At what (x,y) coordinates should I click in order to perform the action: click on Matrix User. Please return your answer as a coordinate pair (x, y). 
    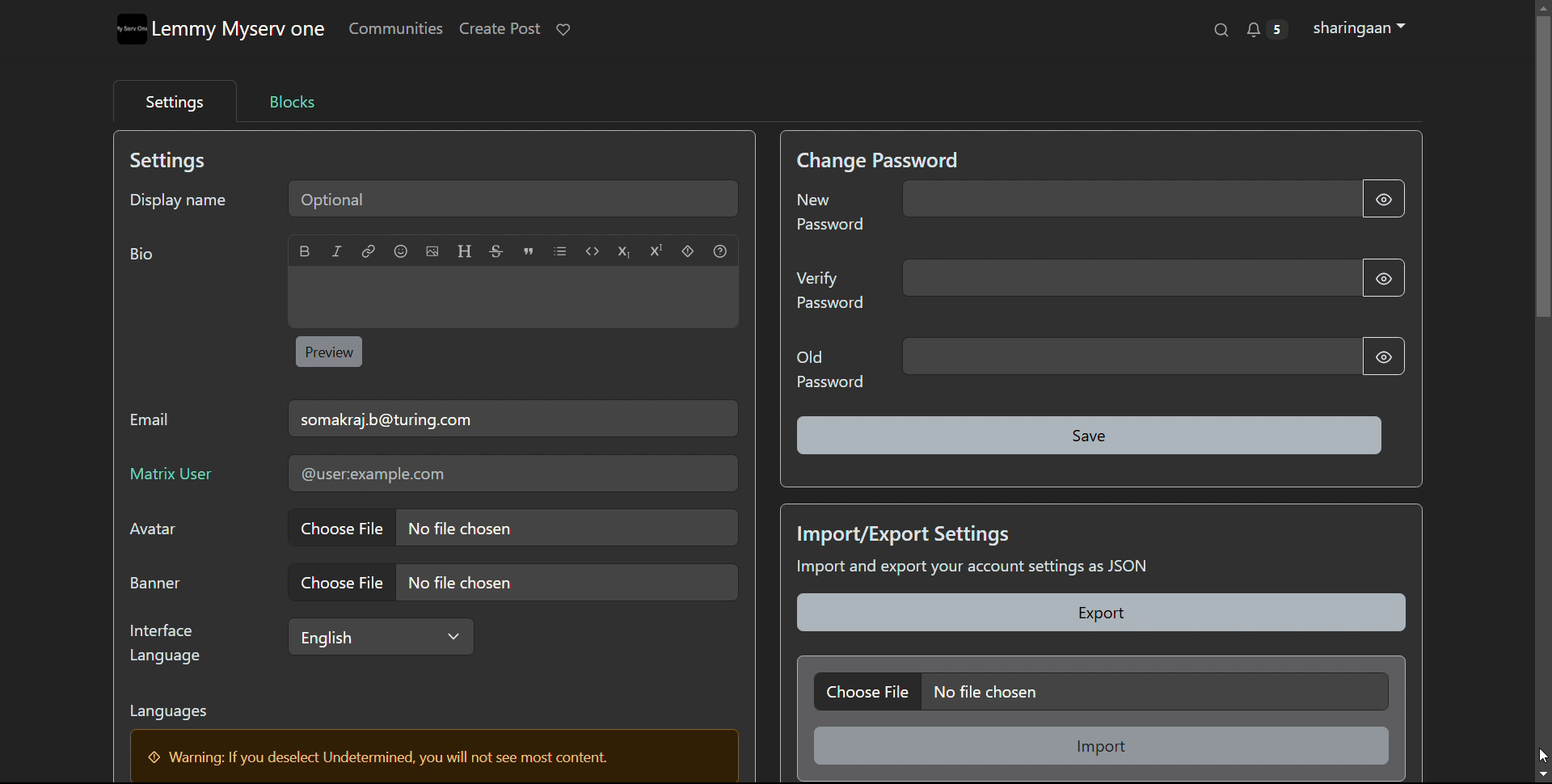
    Looking at the image, I should click on (194, 481).